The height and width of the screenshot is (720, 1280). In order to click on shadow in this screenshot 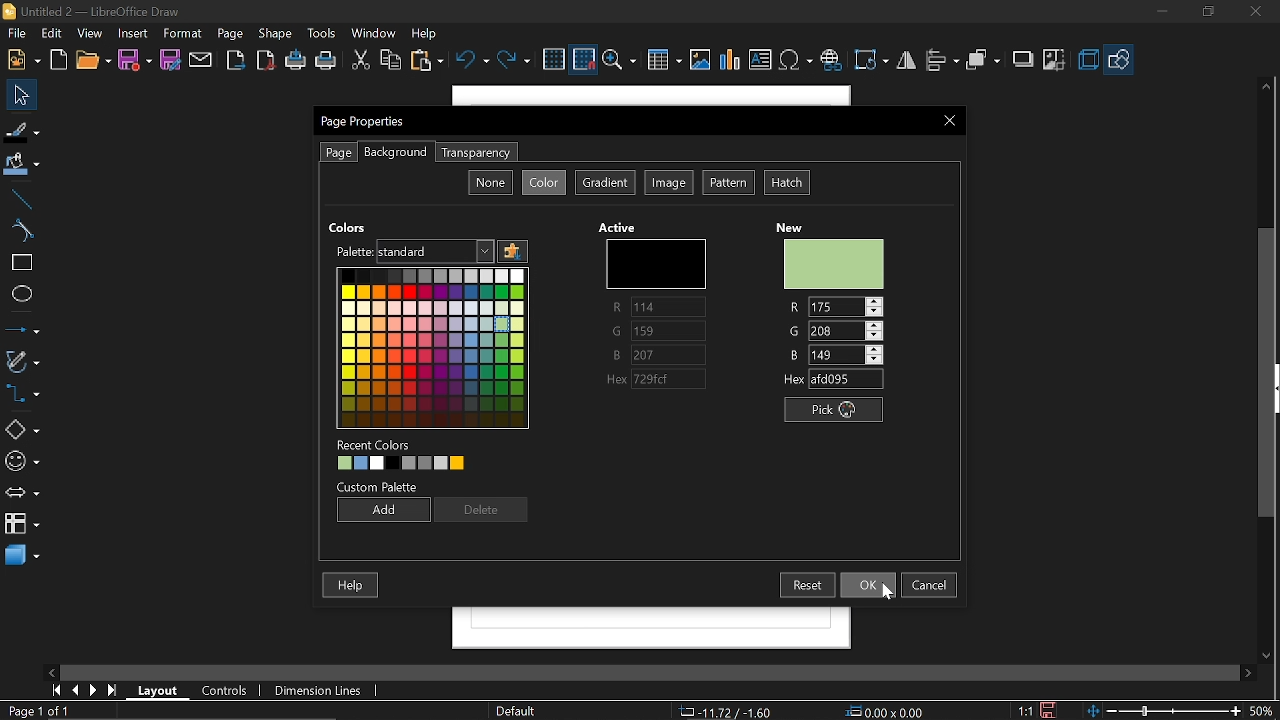, I will do `click(1022, 59)`.